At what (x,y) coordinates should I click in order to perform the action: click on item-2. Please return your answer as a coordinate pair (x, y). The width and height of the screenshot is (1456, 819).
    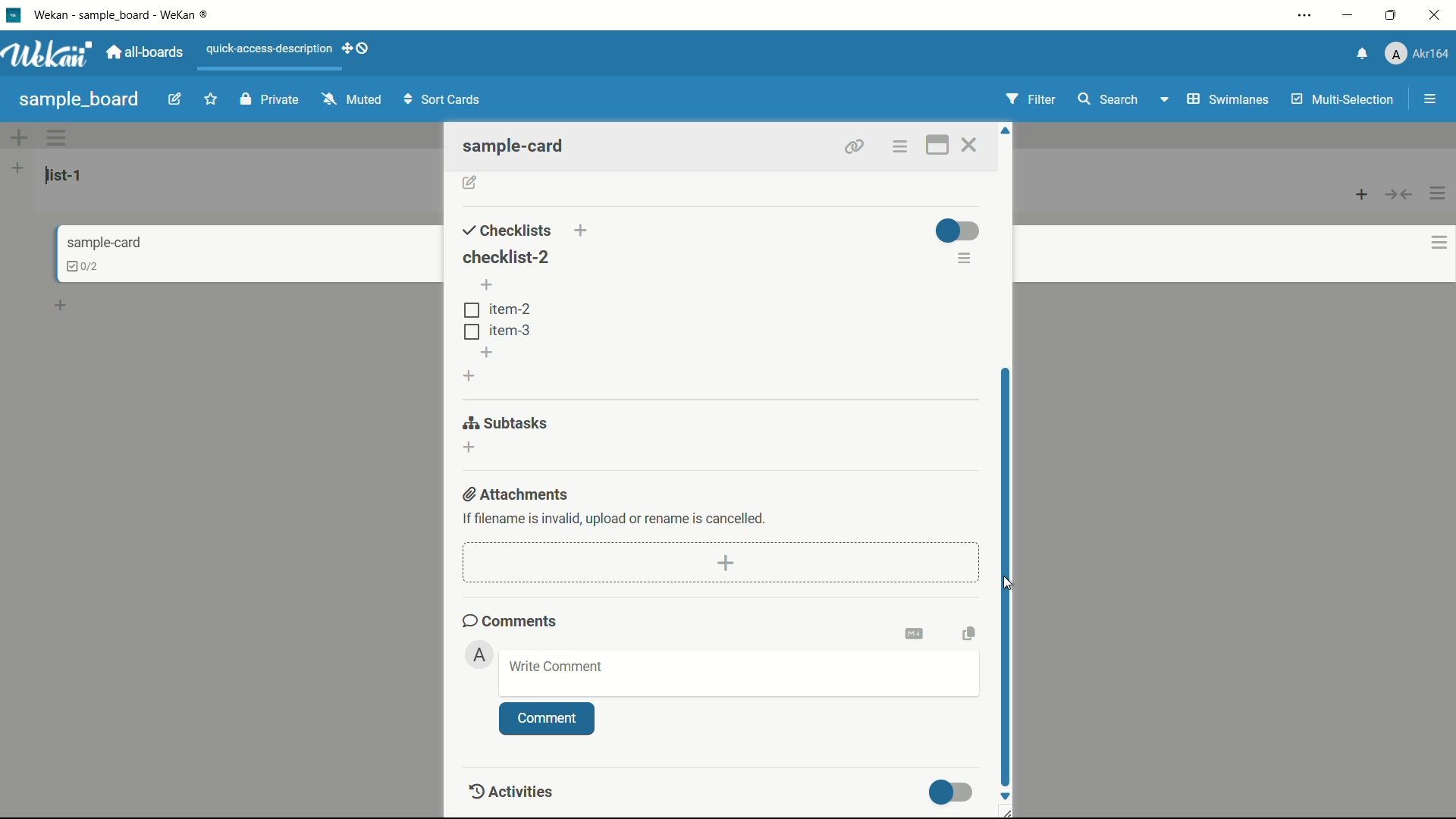
    Looking at the image, I should click on (497, 310).